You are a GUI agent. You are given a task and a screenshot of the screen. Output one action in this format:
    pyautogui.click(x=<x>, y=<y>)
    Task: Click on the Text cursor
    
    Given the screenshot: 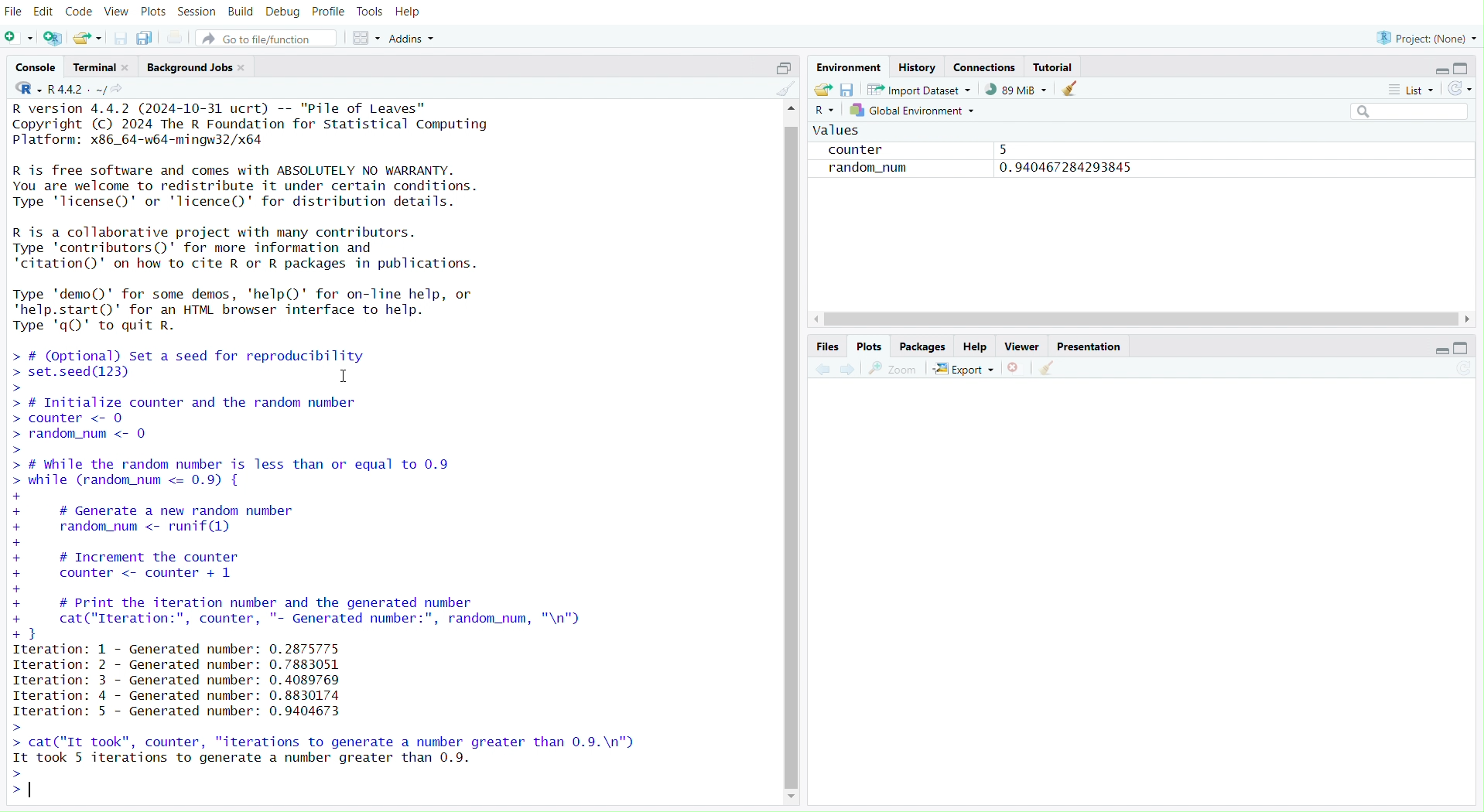 What is the action you would take?
    pyautogui.click(x=334, y=374)
    